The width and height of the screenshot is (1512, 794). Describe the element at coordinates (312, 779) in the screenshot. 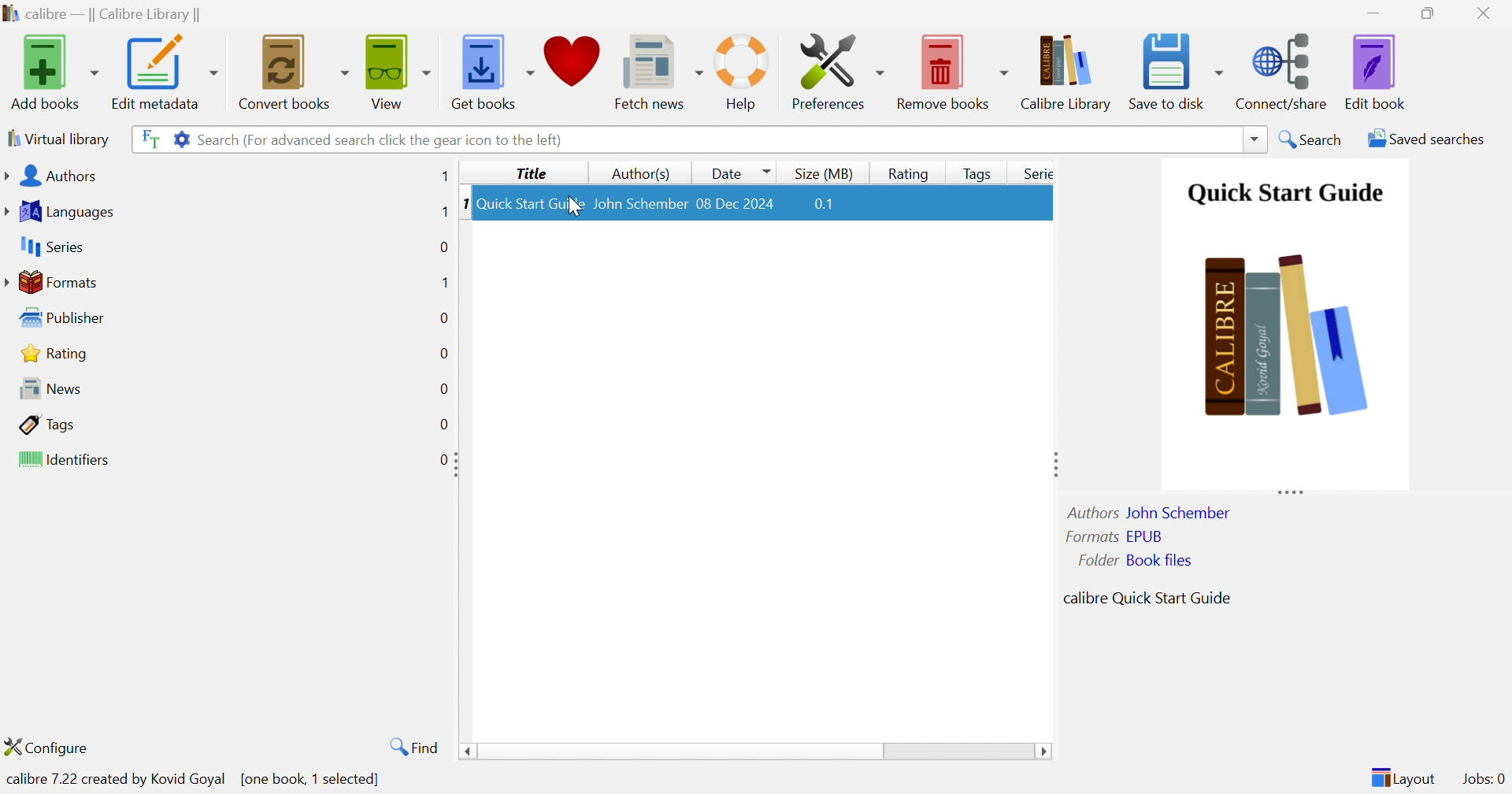

I see `[one book, 1 selected]` at that location.